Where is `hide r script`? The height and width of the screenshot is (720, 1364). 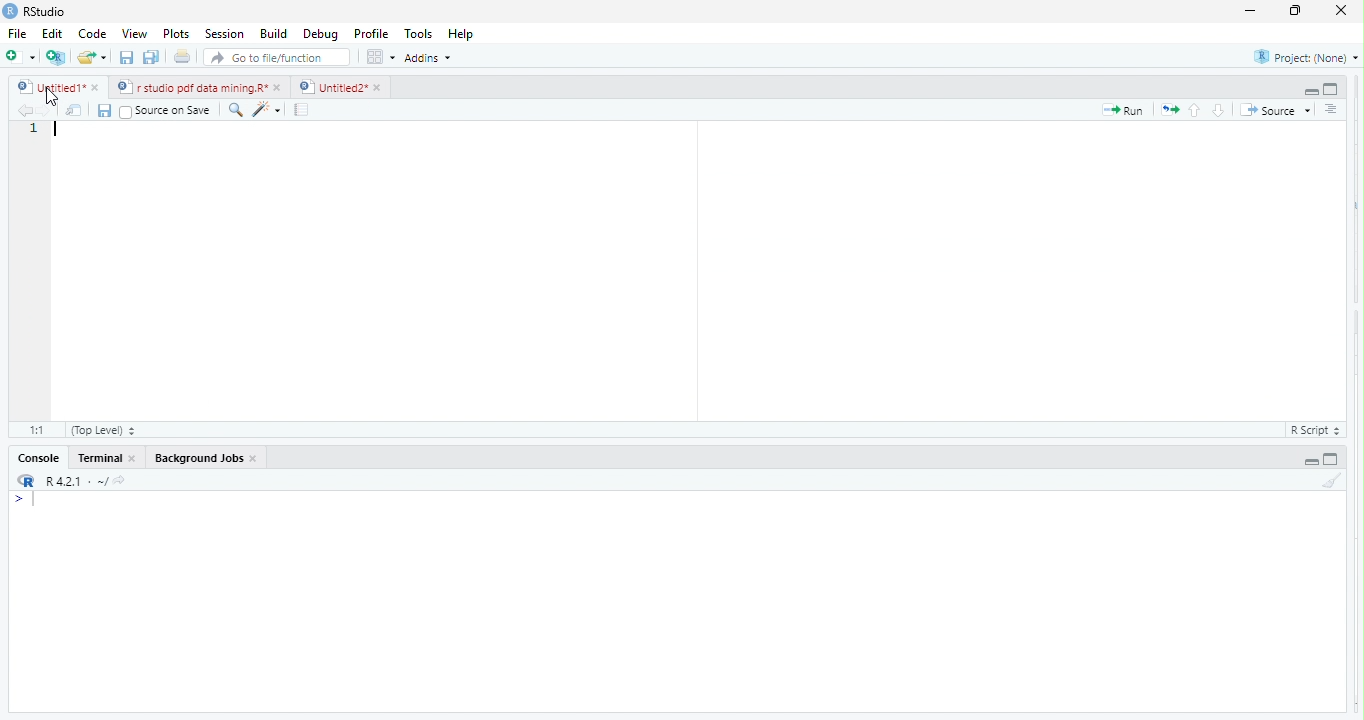
hide r script is located at coordinates (1310, 461).